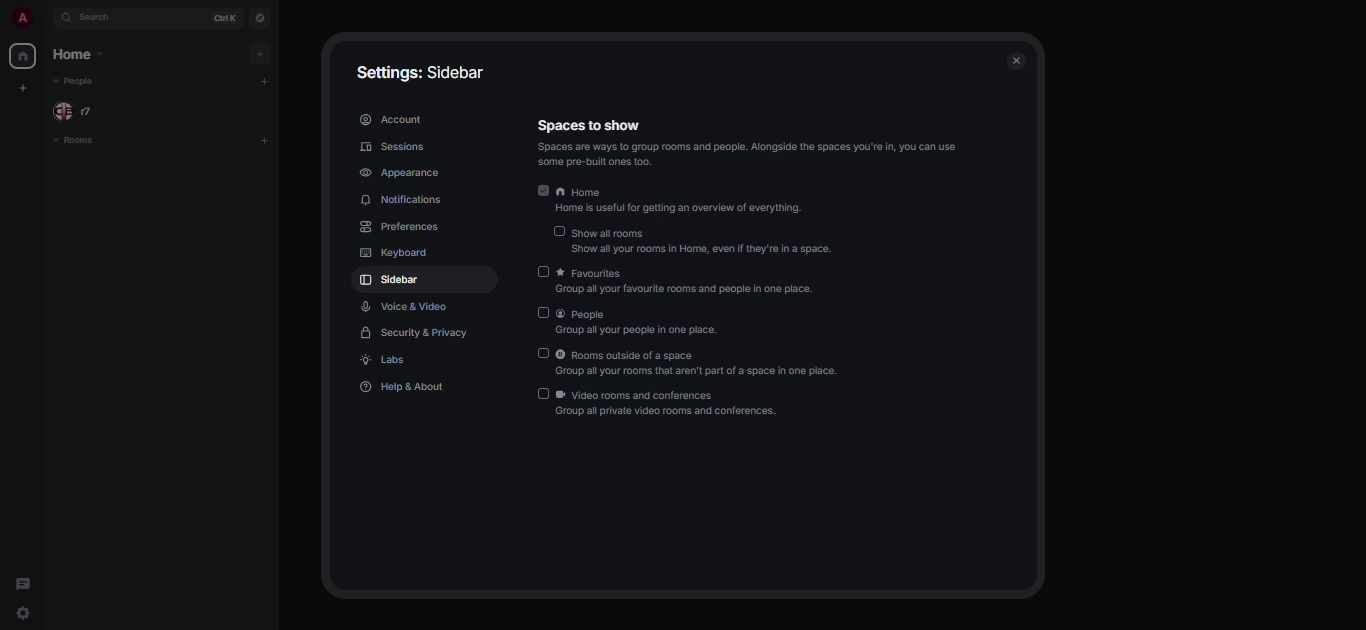 This screenshot has width=1366, height=630. Describe the element at coordinates (1019, 58) in the screenshot. I see `close` at that location.